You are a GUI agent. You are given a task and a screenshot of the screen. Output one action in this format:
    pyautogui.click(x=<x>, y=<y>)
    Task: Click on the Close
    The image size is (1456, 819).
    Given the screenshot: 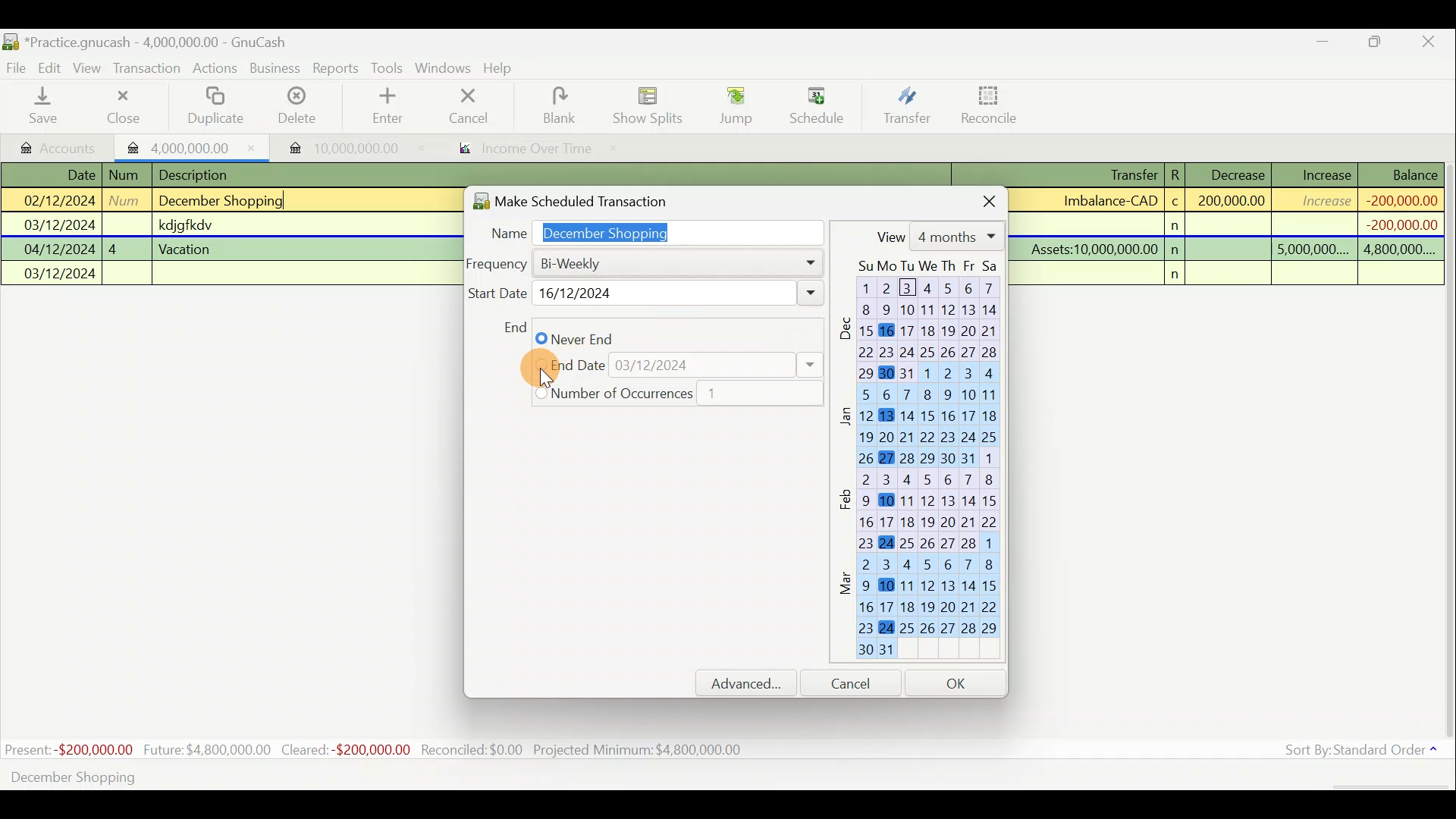 What is the action you would take?
    pyautogui.click(x=1429, y=44)
    